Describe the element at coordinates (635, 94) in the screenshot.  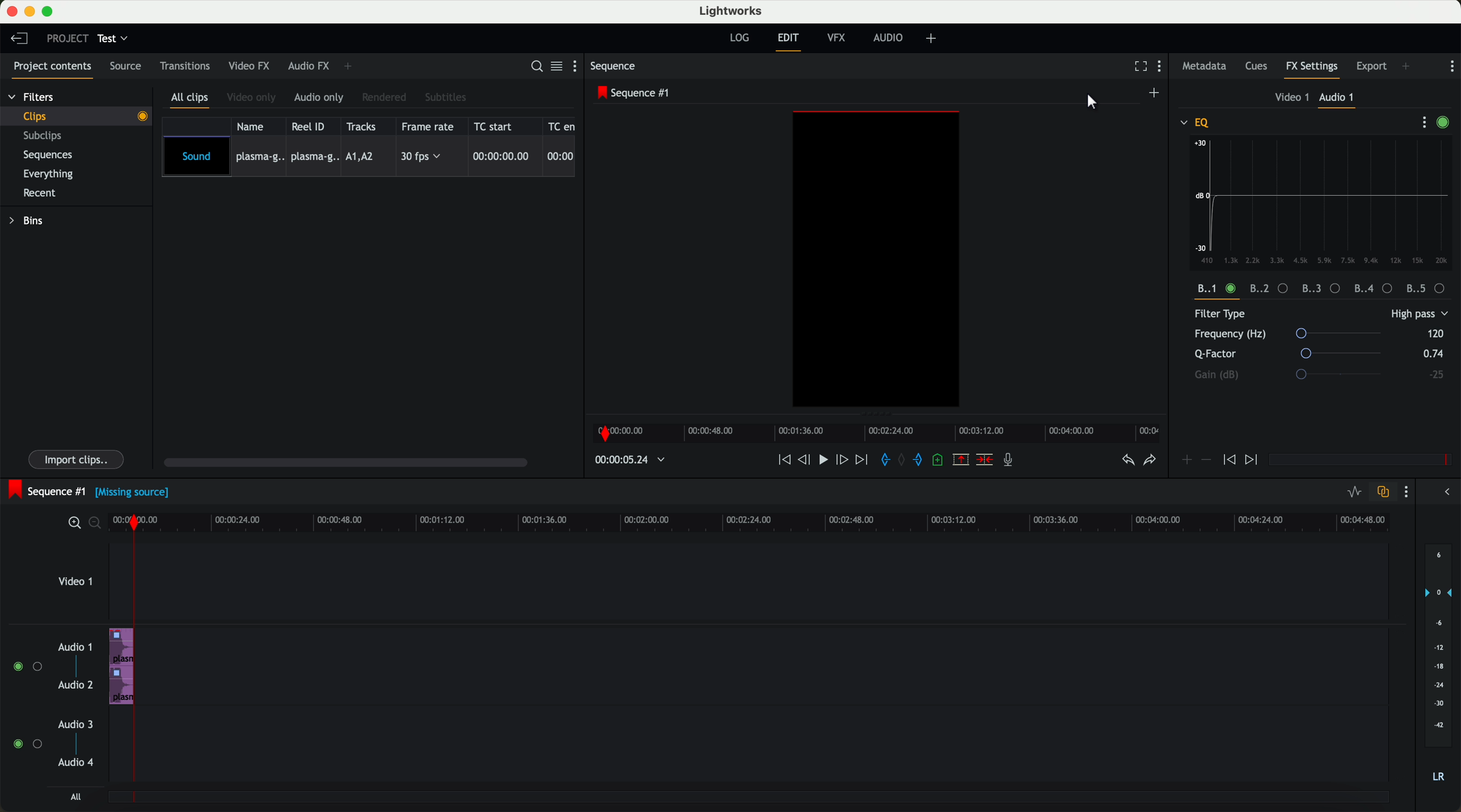
I see `sequence #1` at that location.